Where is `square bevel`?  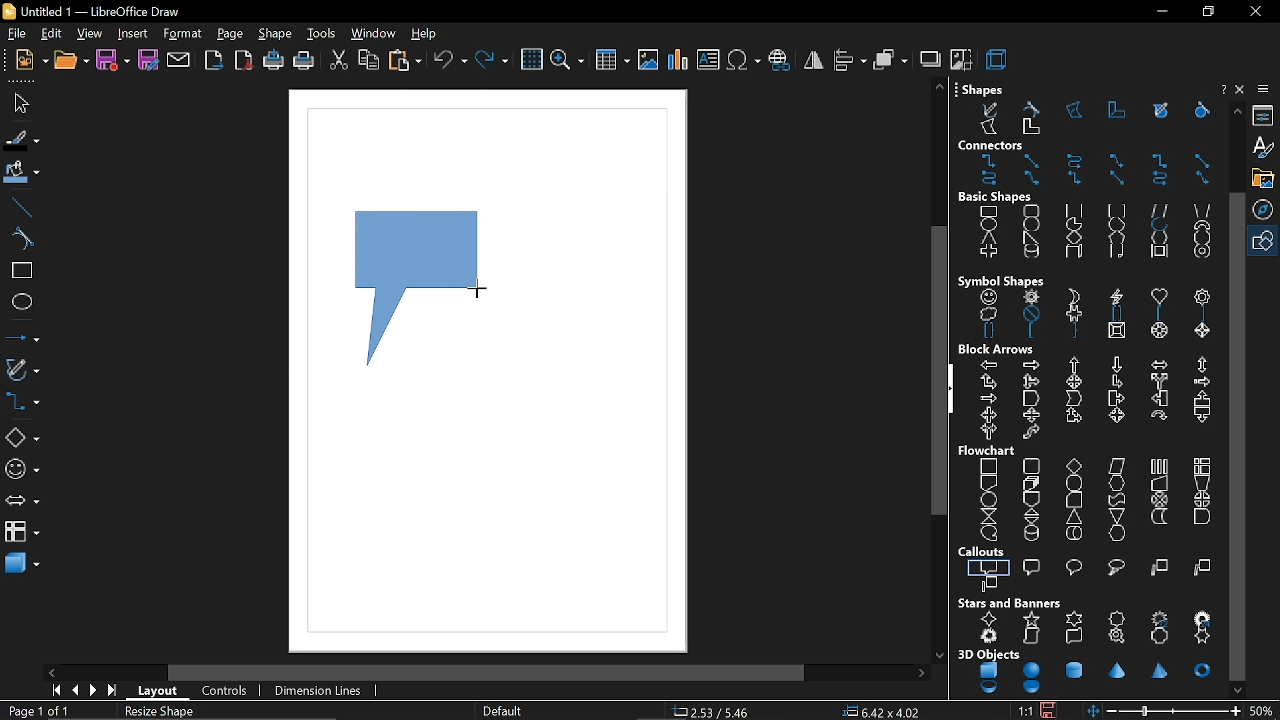 square bevel is located at coordinates (1117, 333).